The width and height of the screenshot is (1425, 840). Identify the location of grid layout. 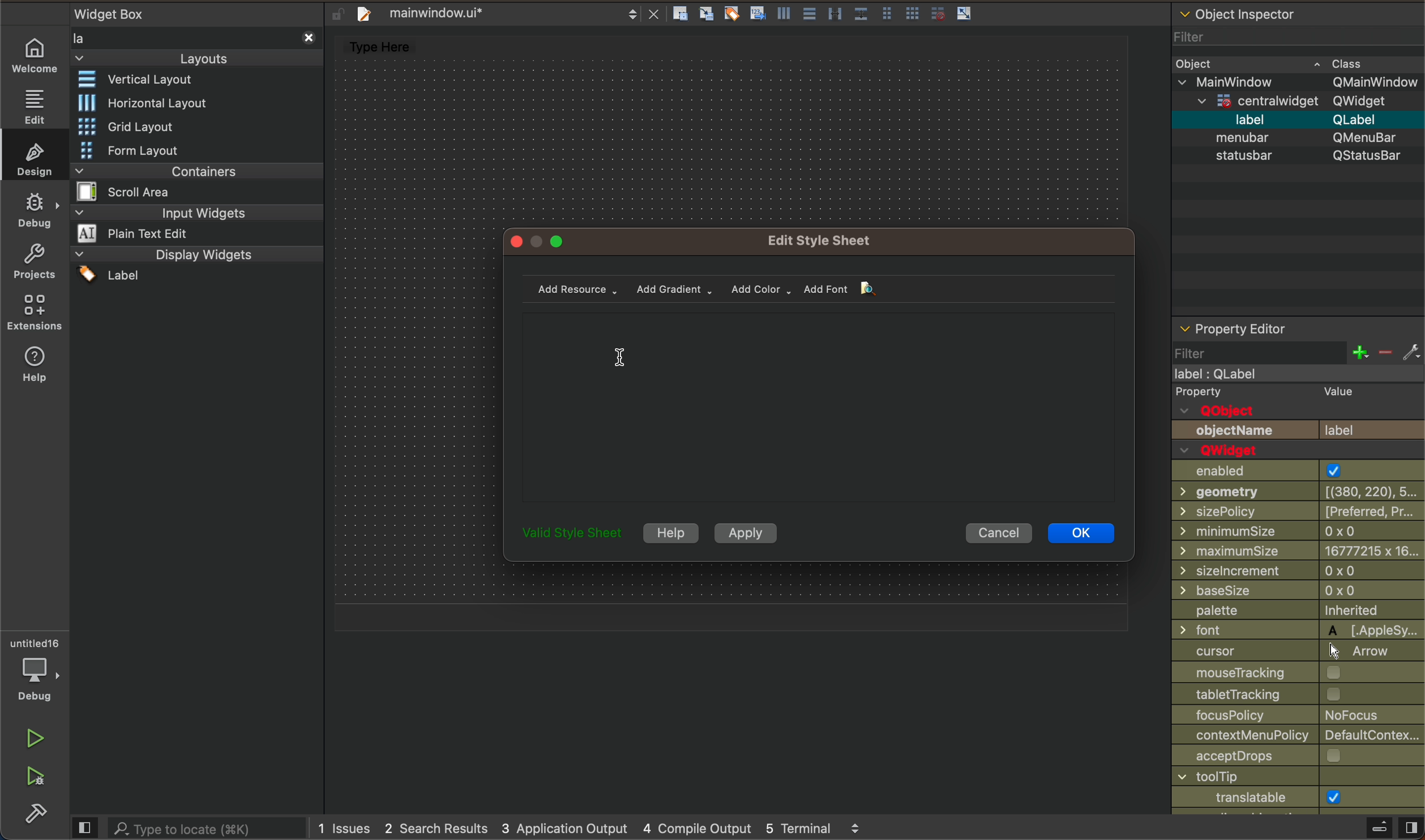
(146, 127).